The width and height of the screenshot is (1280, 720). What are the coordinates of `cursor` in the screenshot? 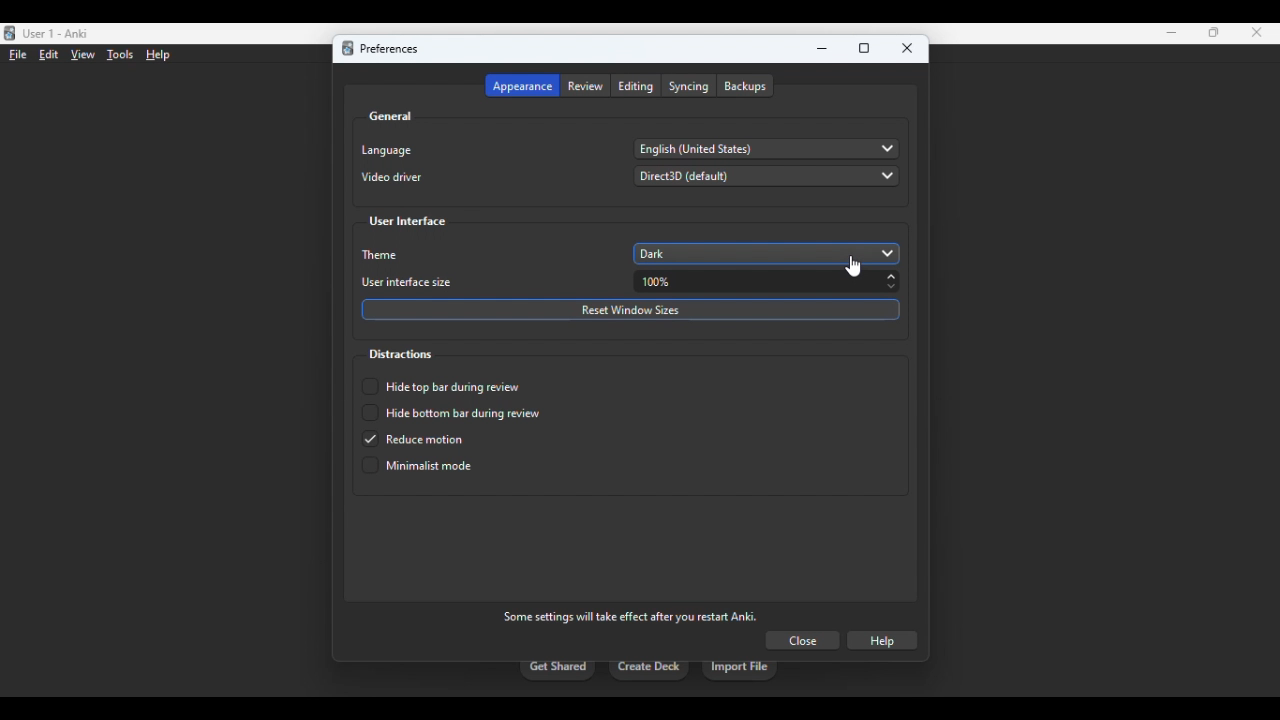 It's located at (854, 267).